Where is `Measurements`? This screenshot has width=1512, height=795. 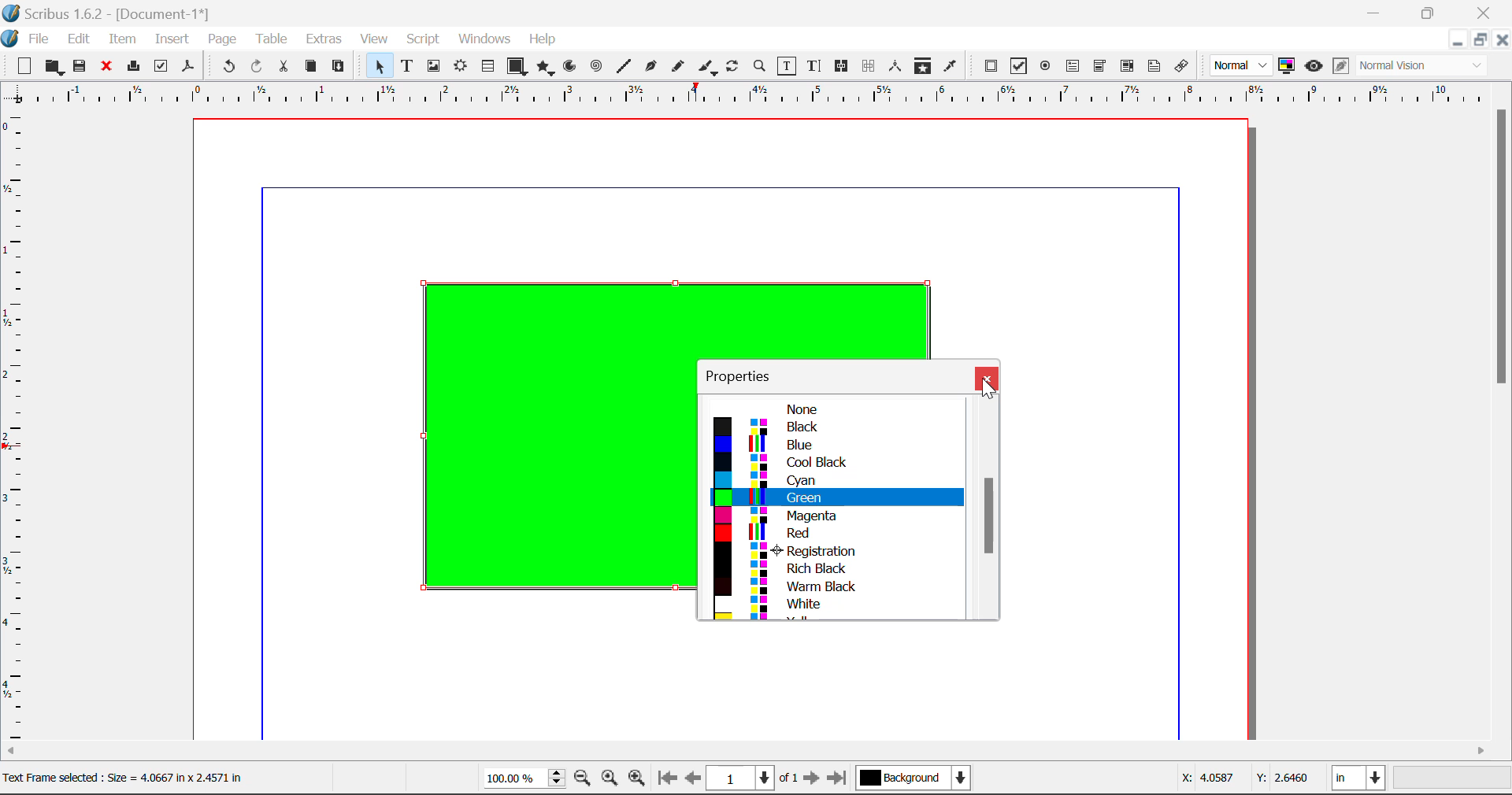 Measurements is located at coordinates (898, 66).